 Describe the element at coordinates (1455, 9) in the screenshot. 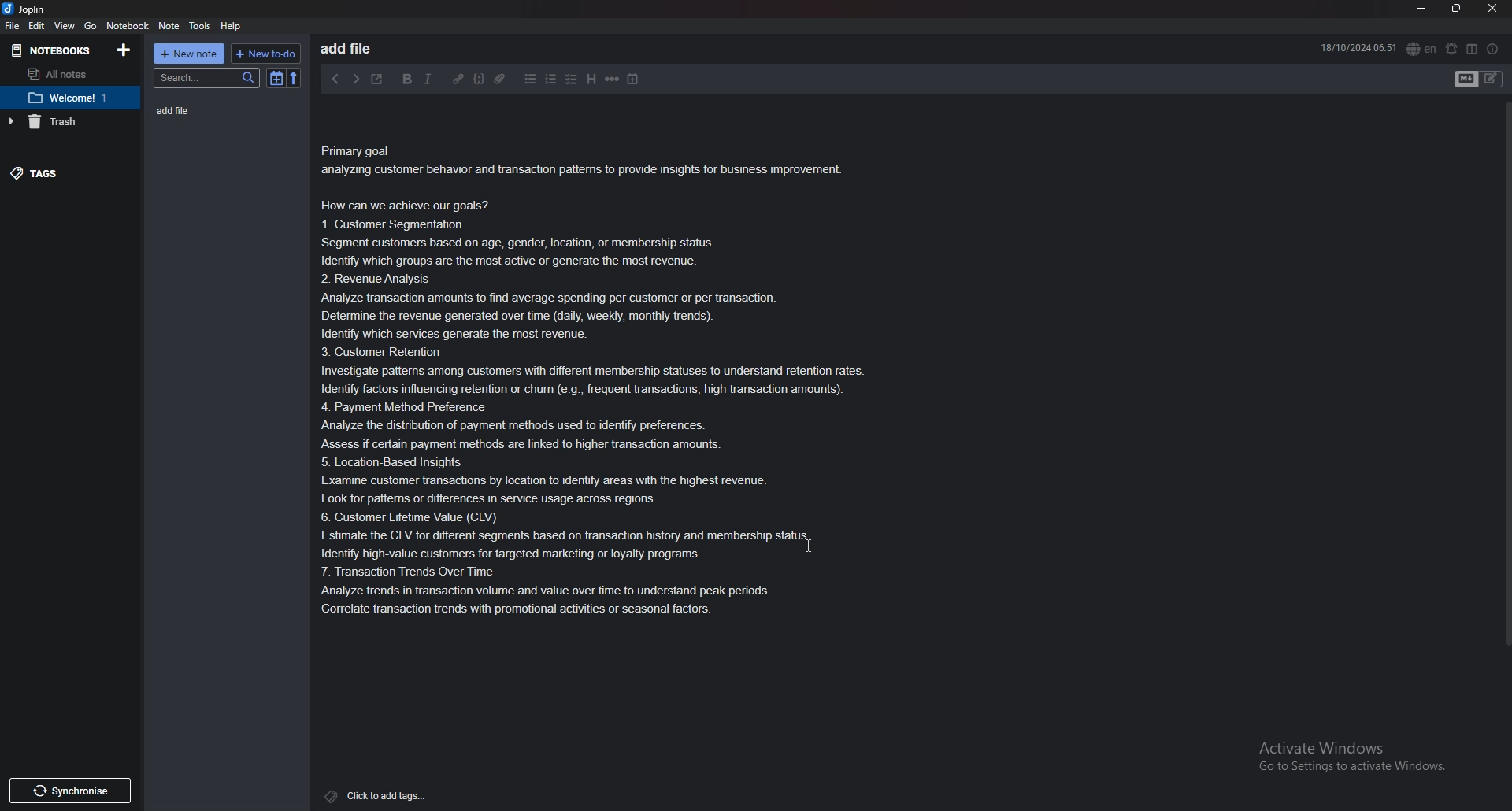

I see `Resize` at that location.